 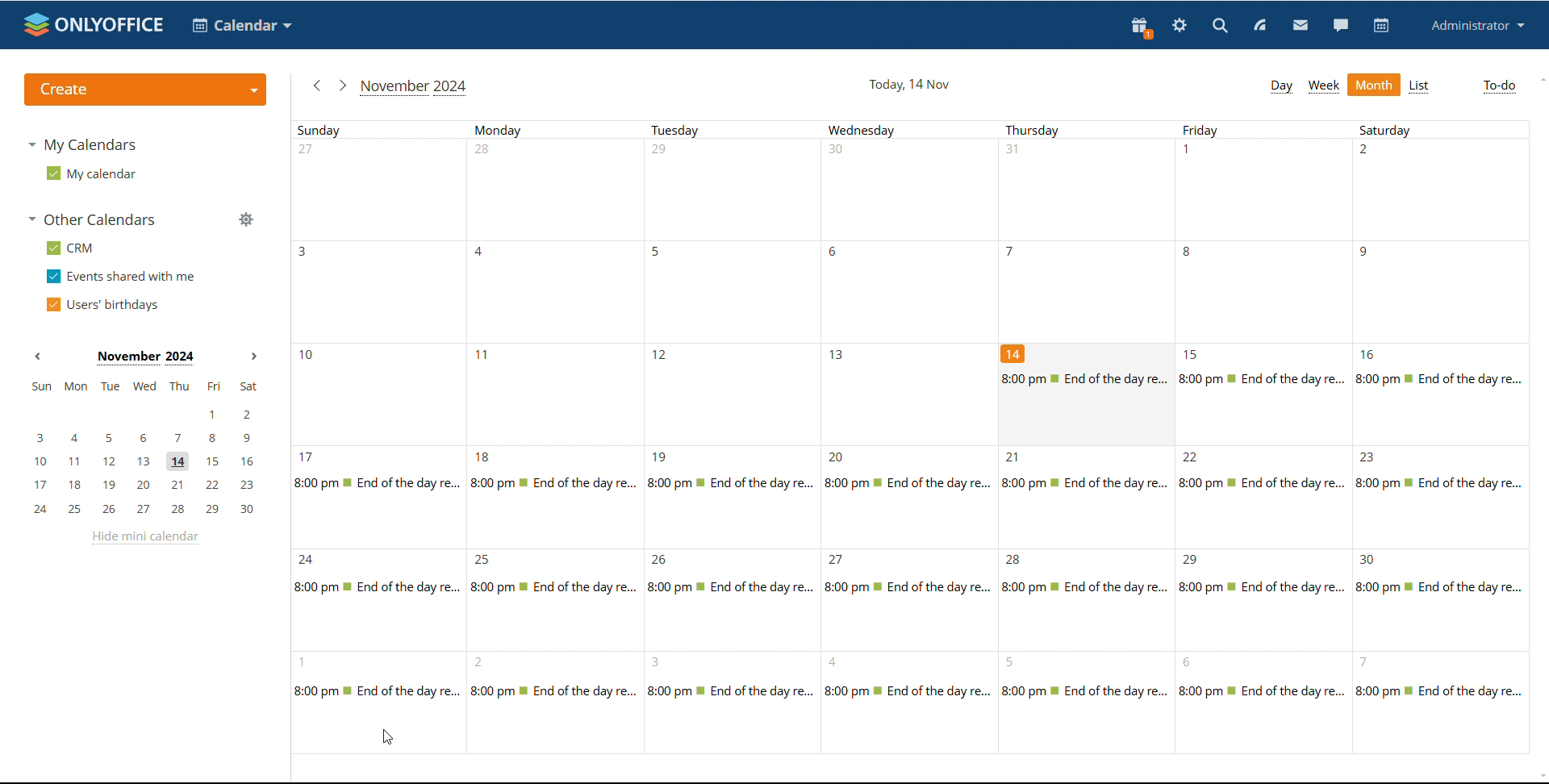 What do you see at coordinates (144, 436) in the screenshot?
I see `3, 4, 5, 6, 7, 8, 9` at bounding box center [144, 436].